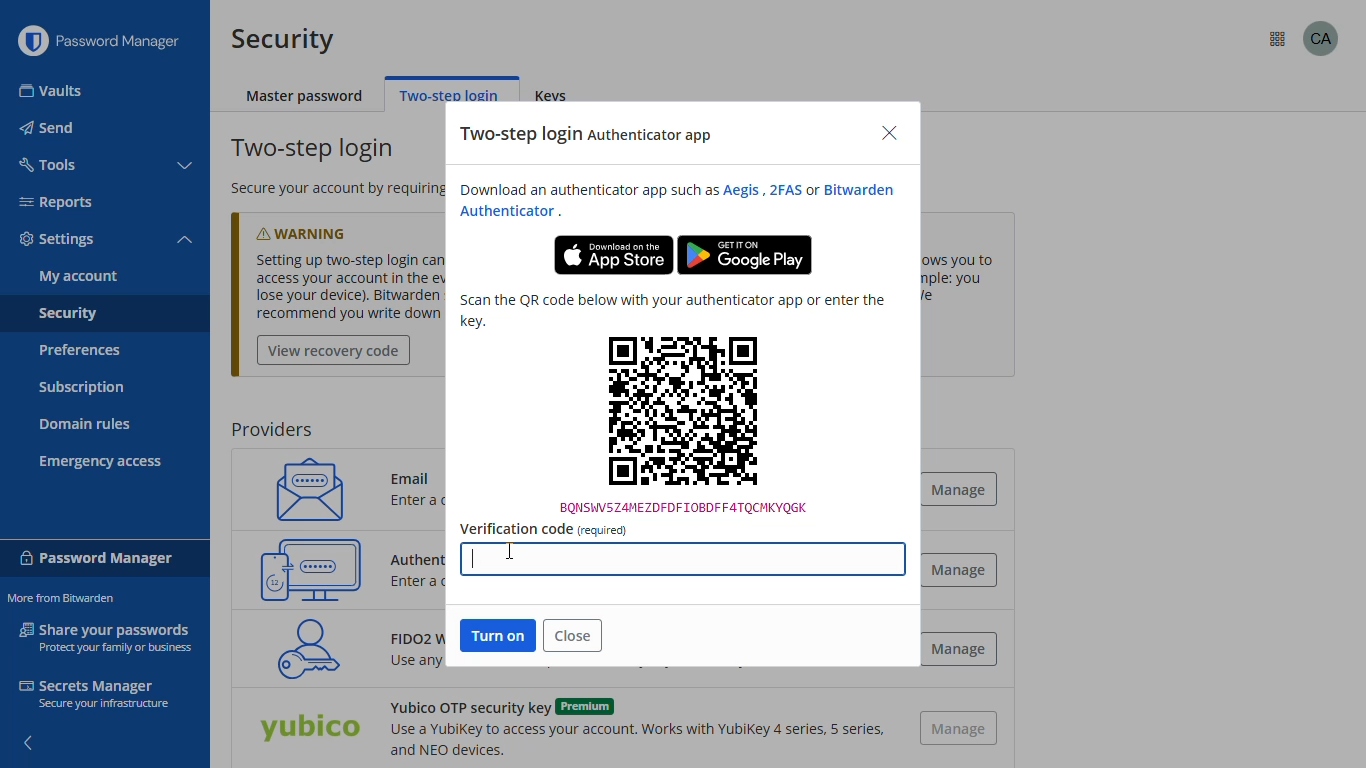  Describe the element at coordinates (334, 351) in the screenshot. I see `view recovery code` at that location.